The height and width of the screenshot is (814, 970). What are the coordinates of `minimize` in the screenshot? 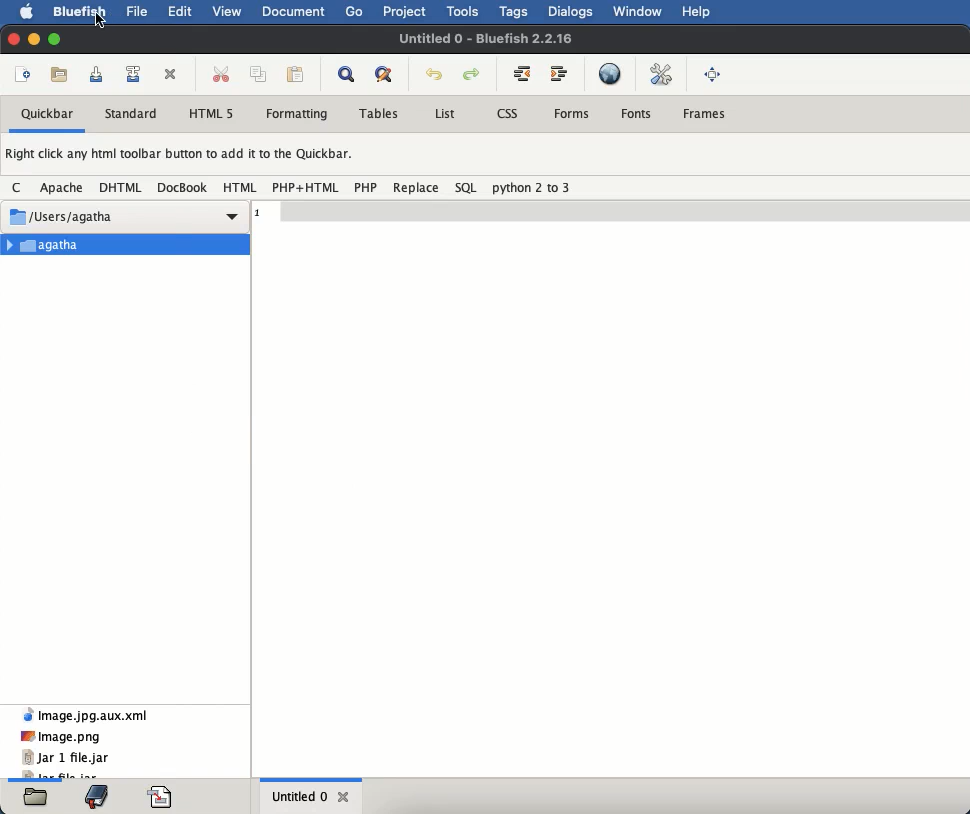 It's located at (35, 40).